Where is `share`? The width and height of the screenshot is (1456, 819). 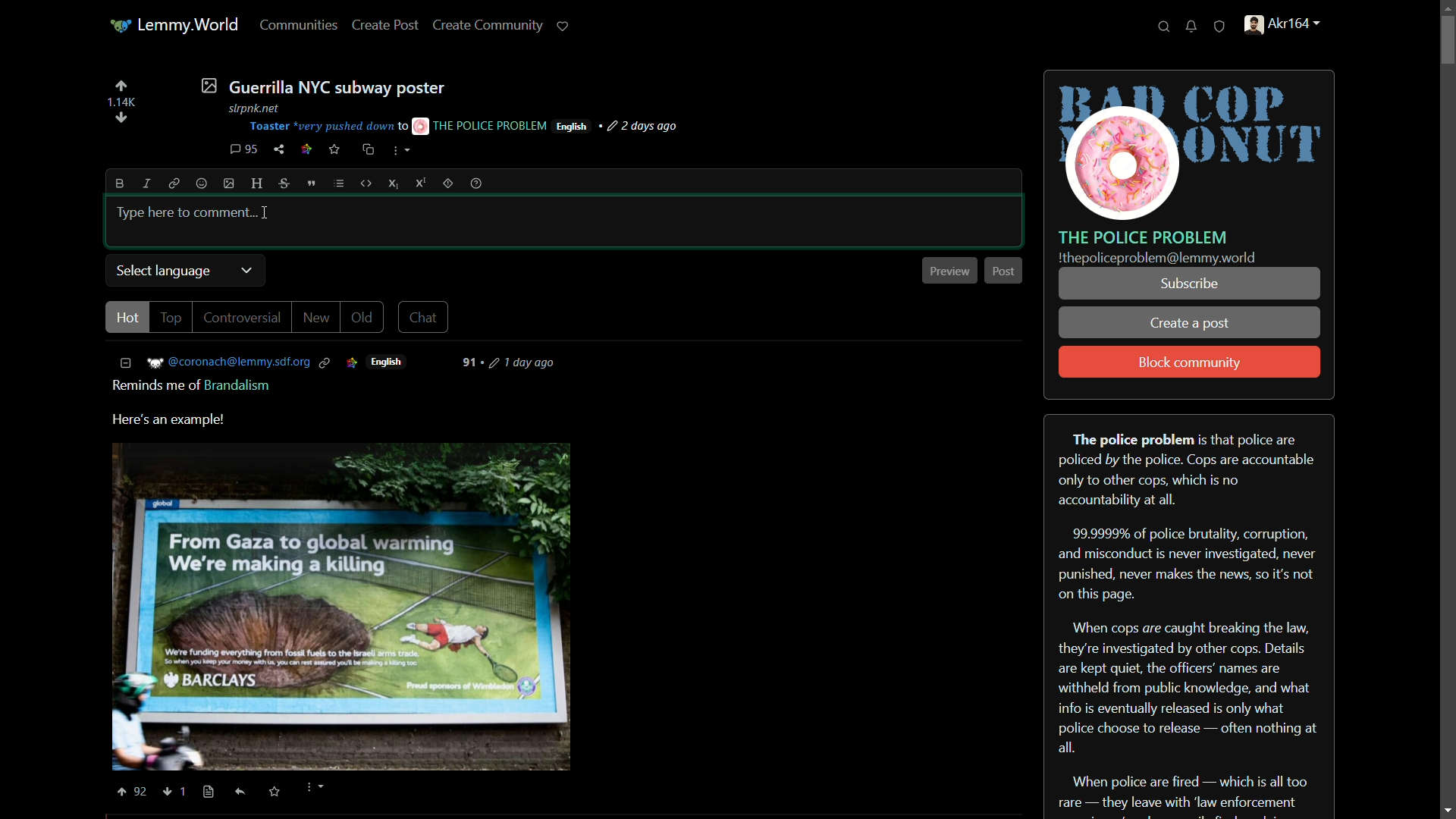 share is located at coordinates (279, 149).